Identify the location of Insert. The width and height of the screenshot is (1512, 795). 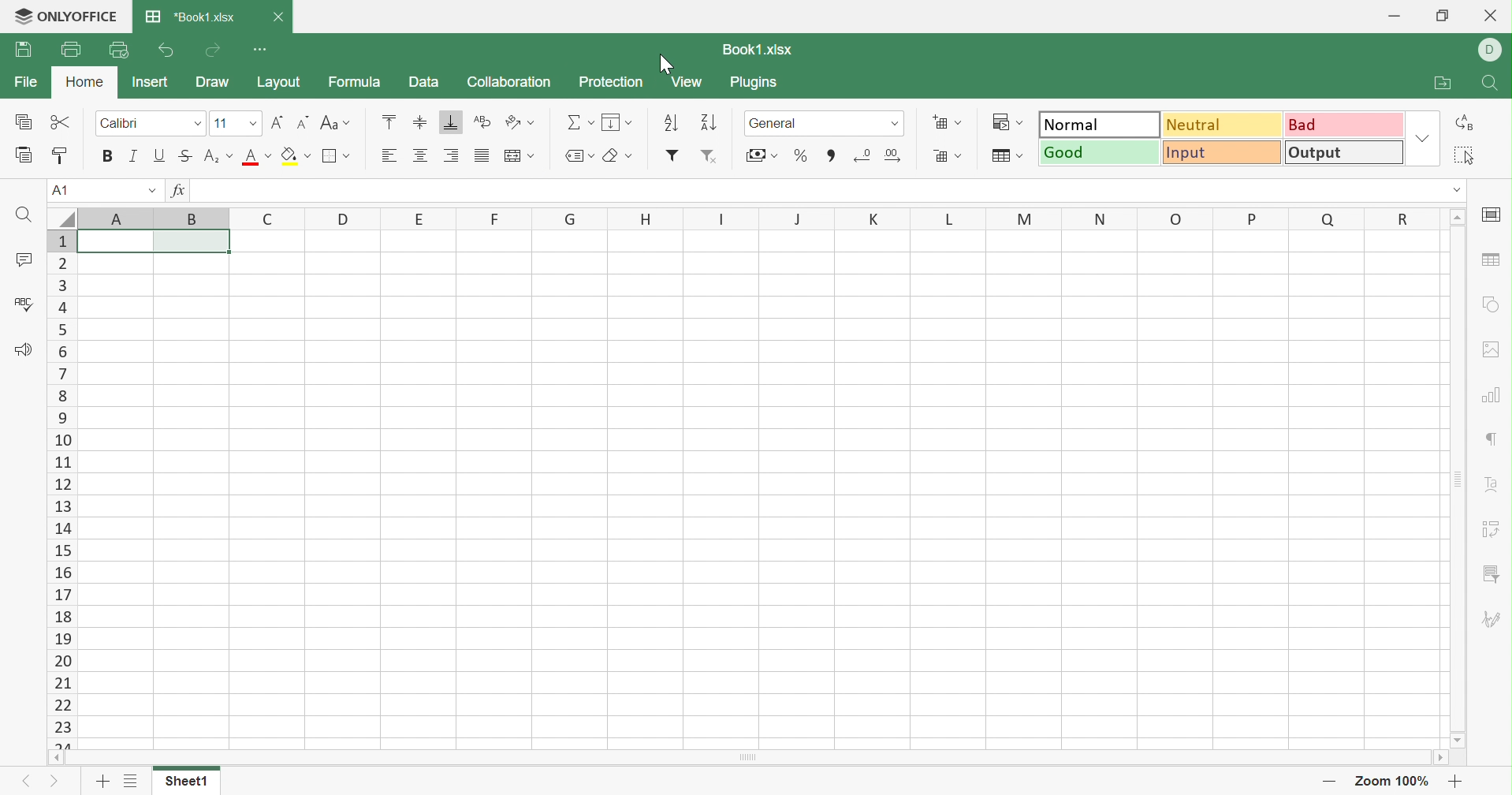
(154, 84).